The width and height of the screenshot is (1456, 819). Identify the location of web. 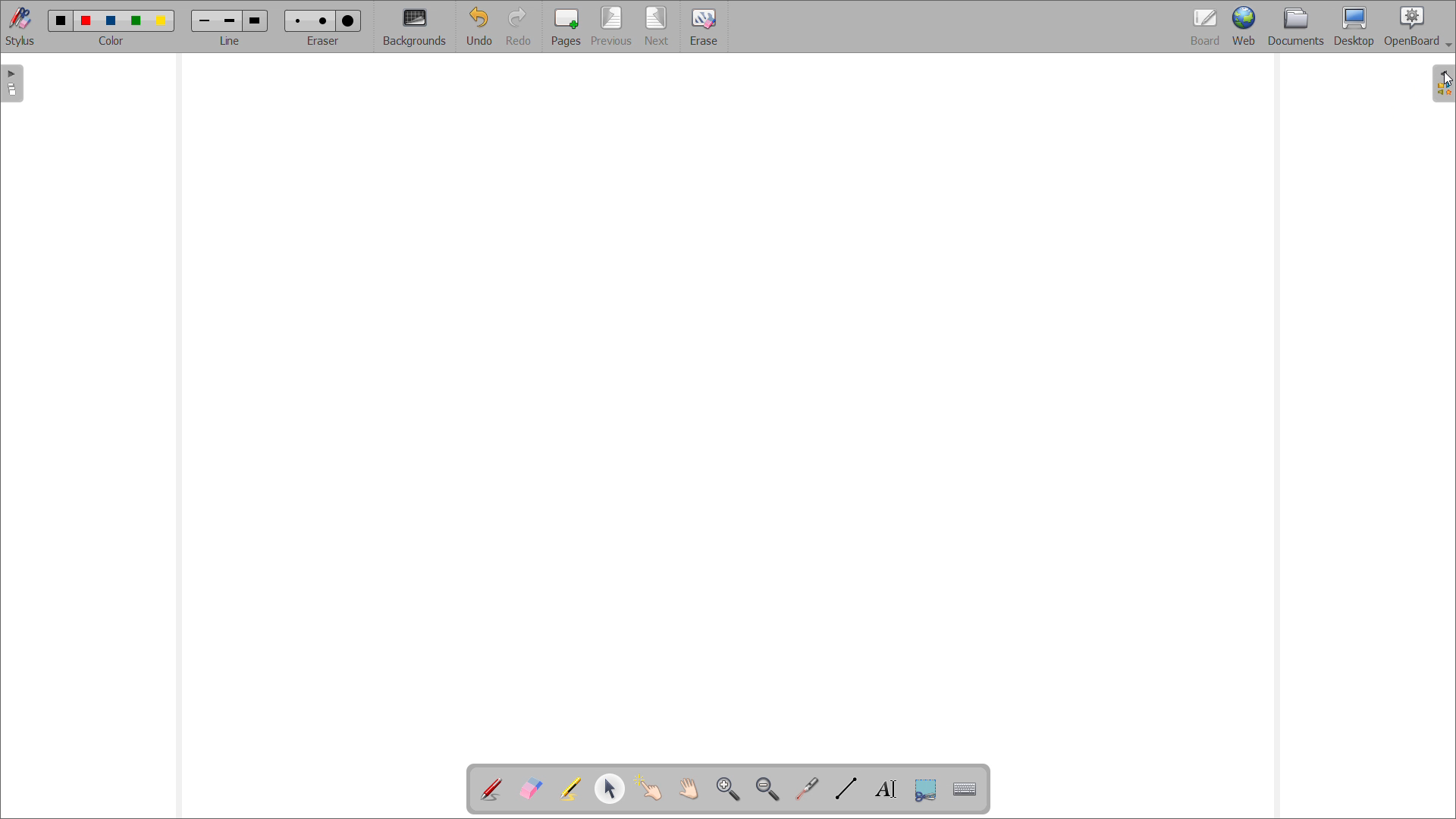
(1244, 27).